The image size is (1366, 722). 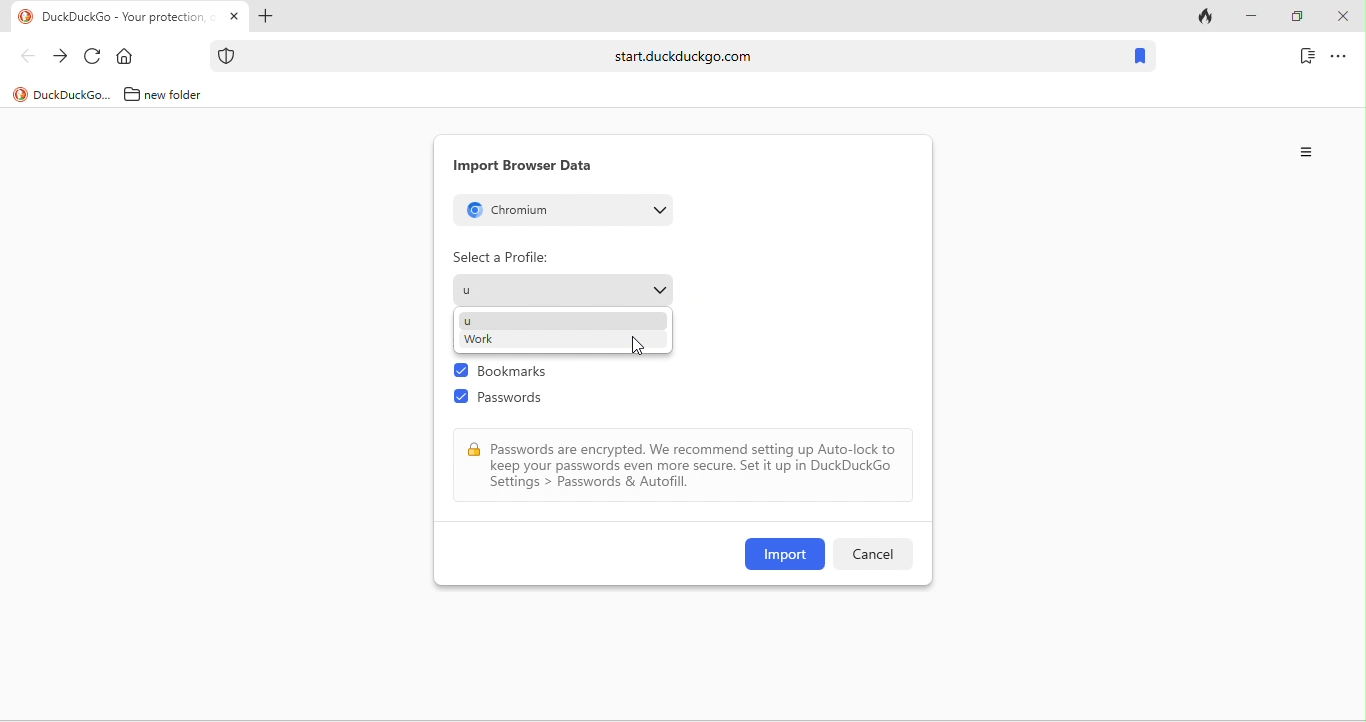 What do you see at coordinates (1139, 57) in the screenshot?
I see `bookmarks` at bounding box center [1139, 57].